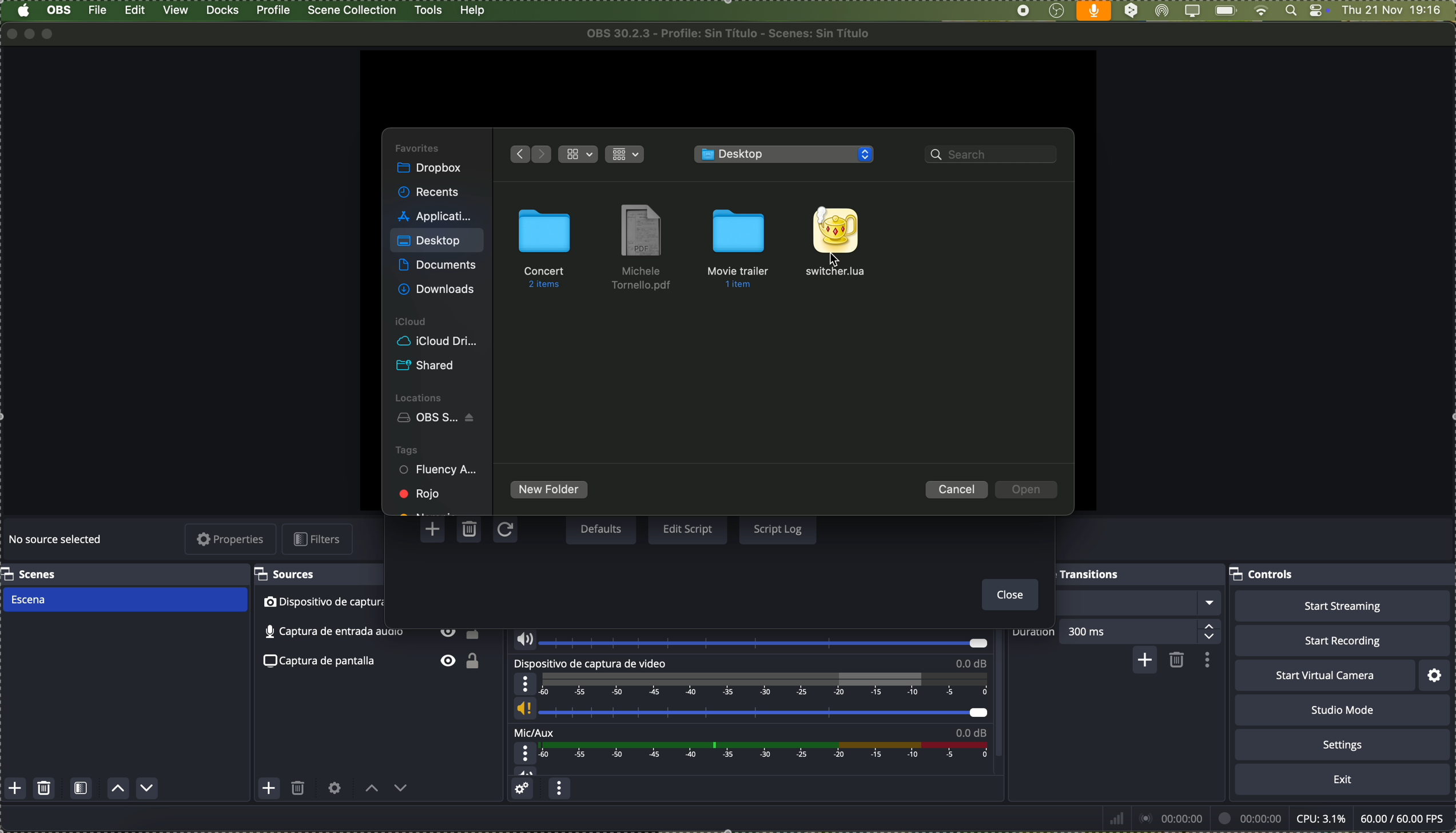  What do you see at coordinates (299, 791) in the screenshot?
I see `remove selected source` at bounding box center [299, 791].